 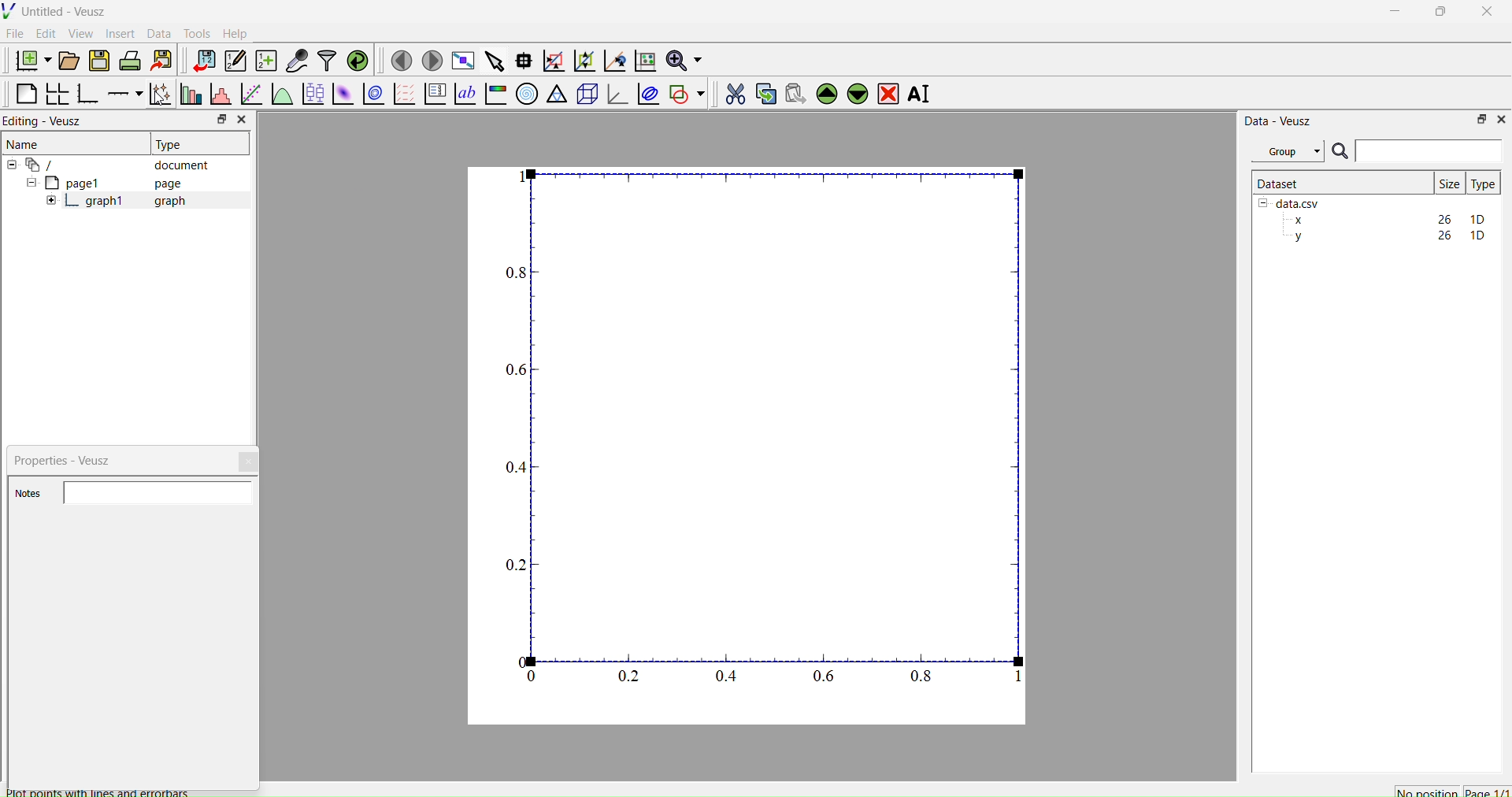 I want to click on Ternary graph, so click(x=558, y=93).